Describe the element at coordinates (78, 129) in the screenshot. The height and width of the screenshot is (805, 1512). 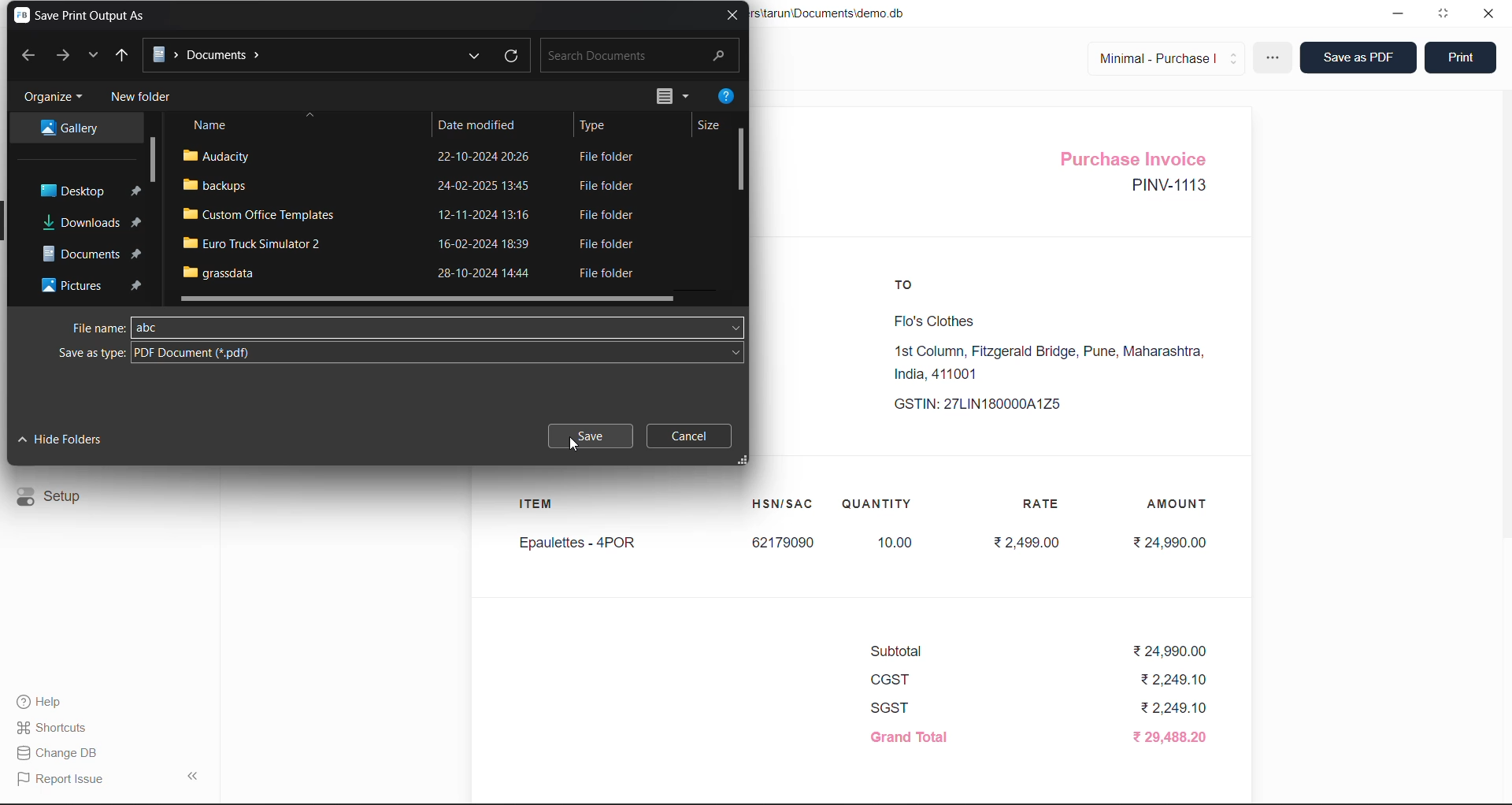
I see `Gallery` at that location.